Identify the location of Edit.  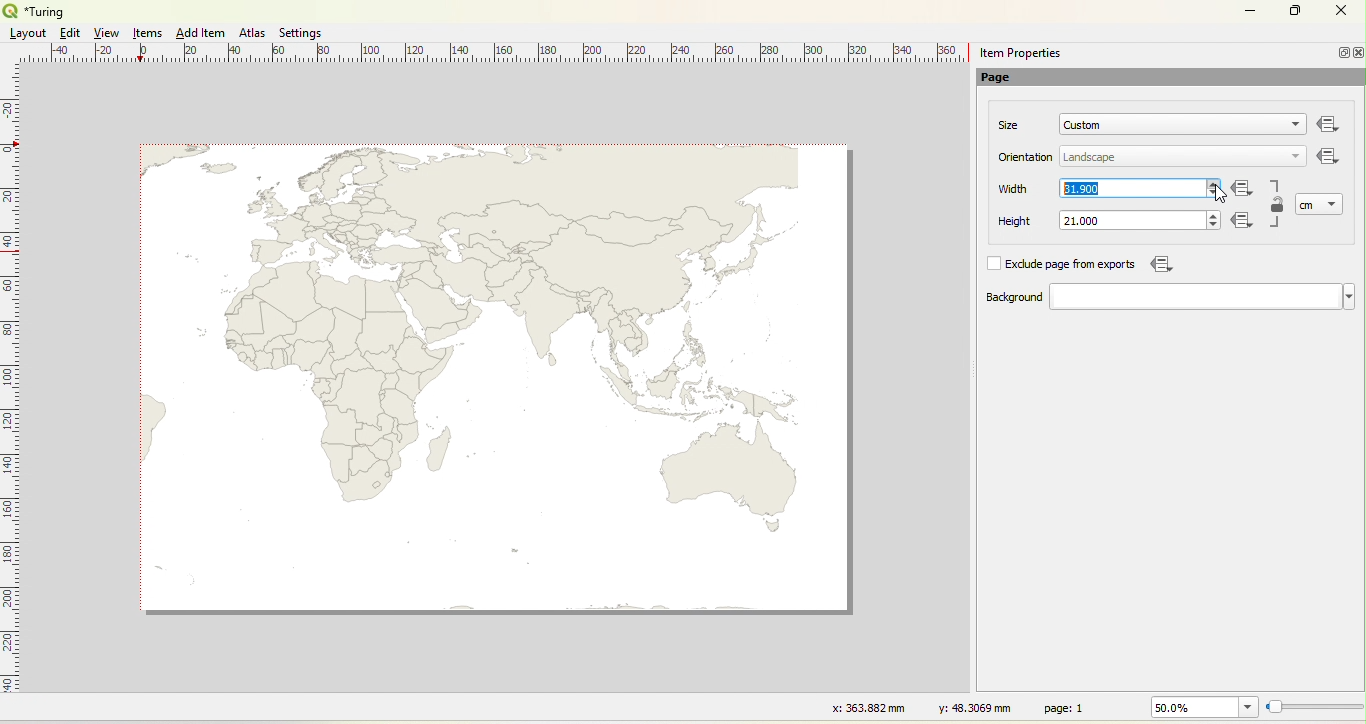
(68, 33).